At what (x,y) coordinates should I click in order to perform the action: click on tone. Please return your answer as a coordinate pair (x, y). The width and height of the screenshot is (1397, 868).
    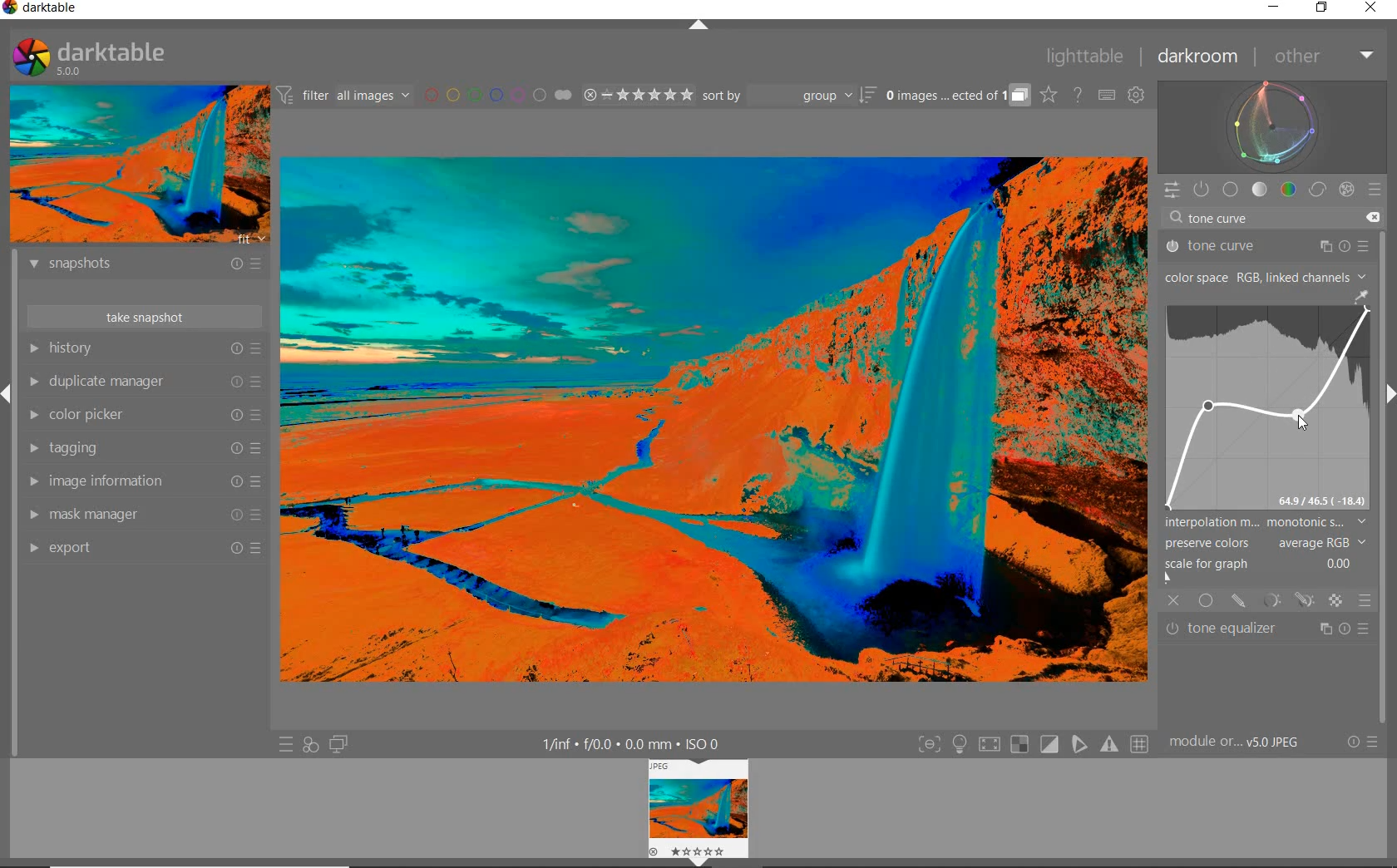
    Looking at the image, I should click on (1260, 190).